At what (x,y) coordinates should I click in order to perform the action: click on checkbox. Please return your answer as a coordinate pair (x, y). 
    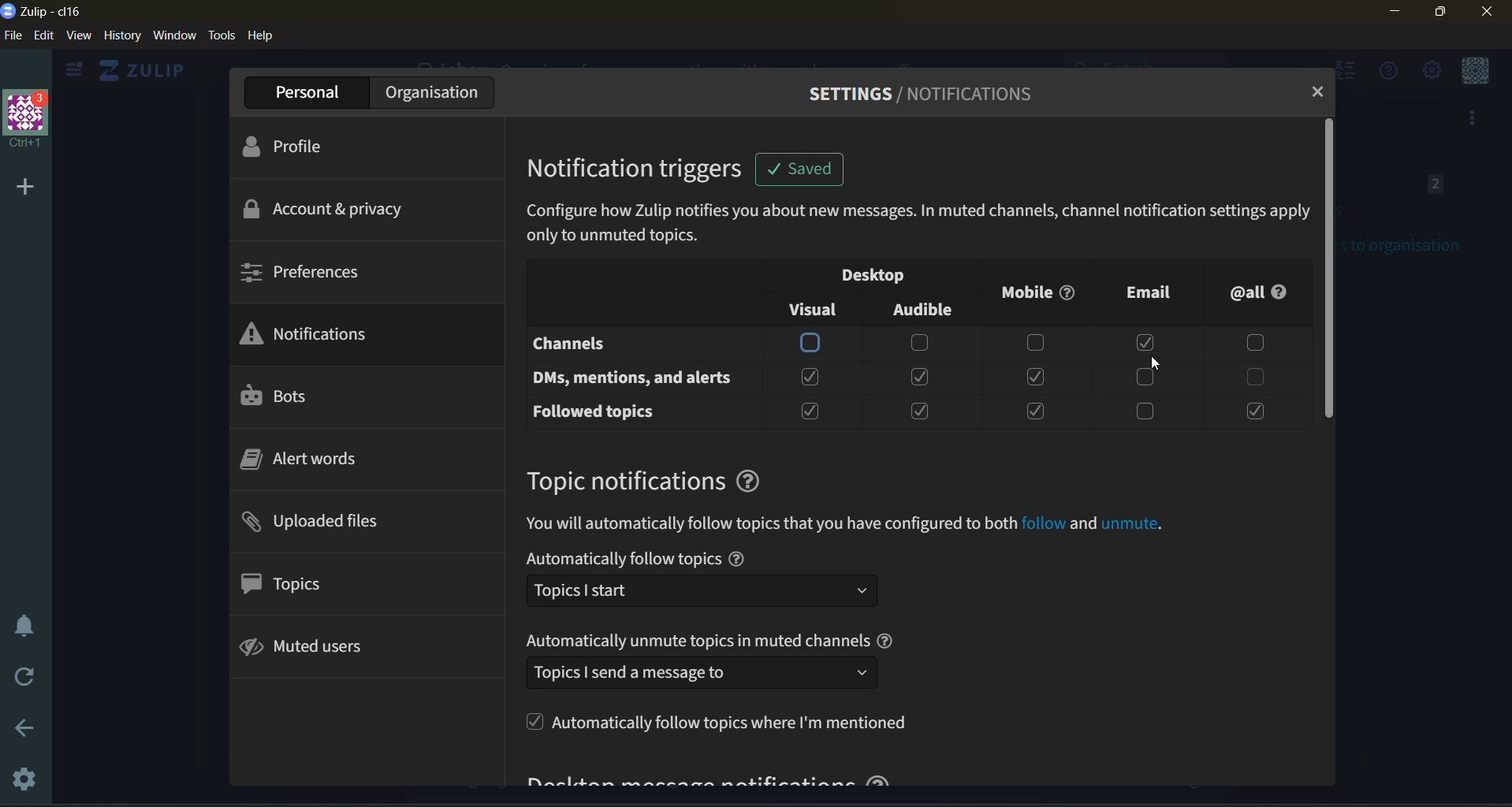
    Looking at the image, I should click on (920, 344).